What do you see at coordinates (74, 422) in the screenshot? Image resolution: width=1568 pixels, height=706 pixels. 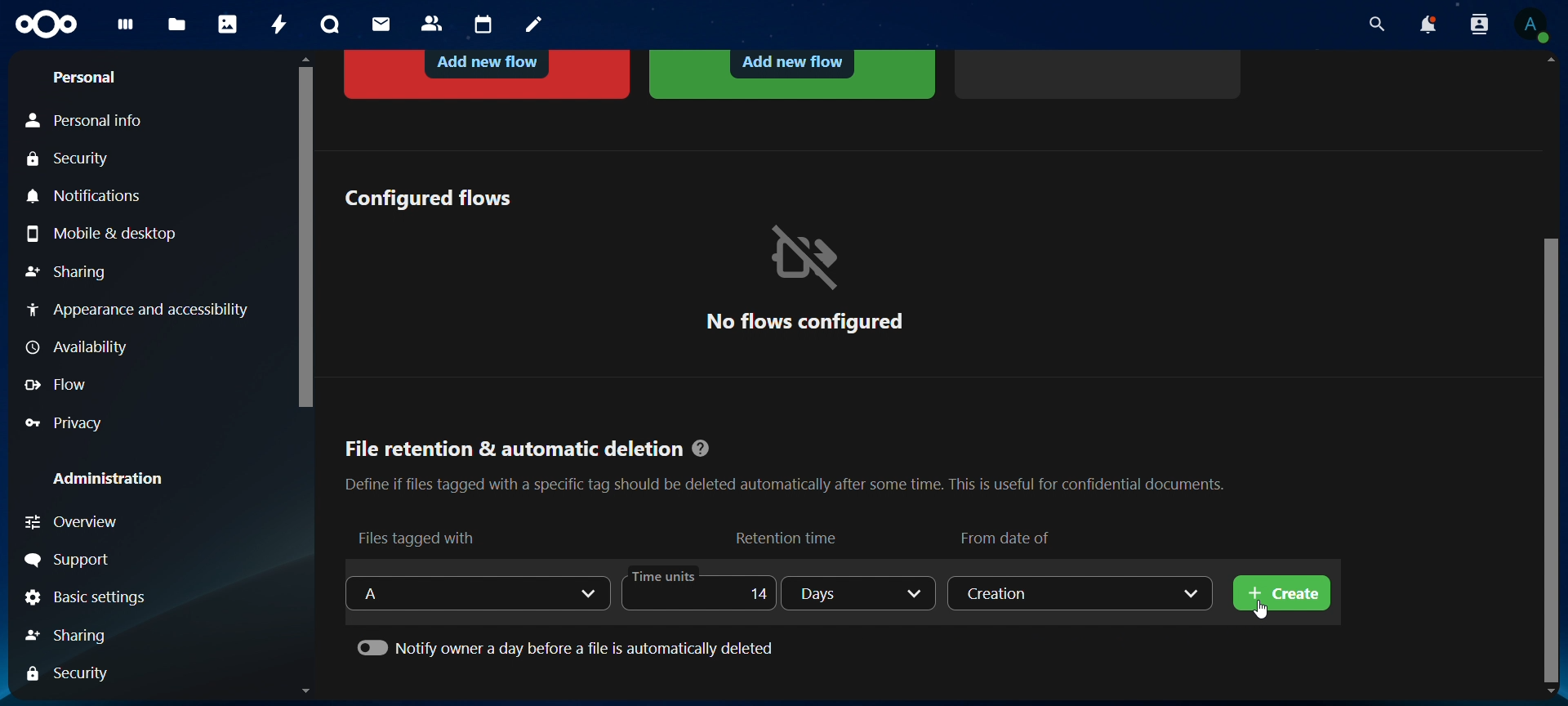 I see `privacy` at bounding box center [74, 422].